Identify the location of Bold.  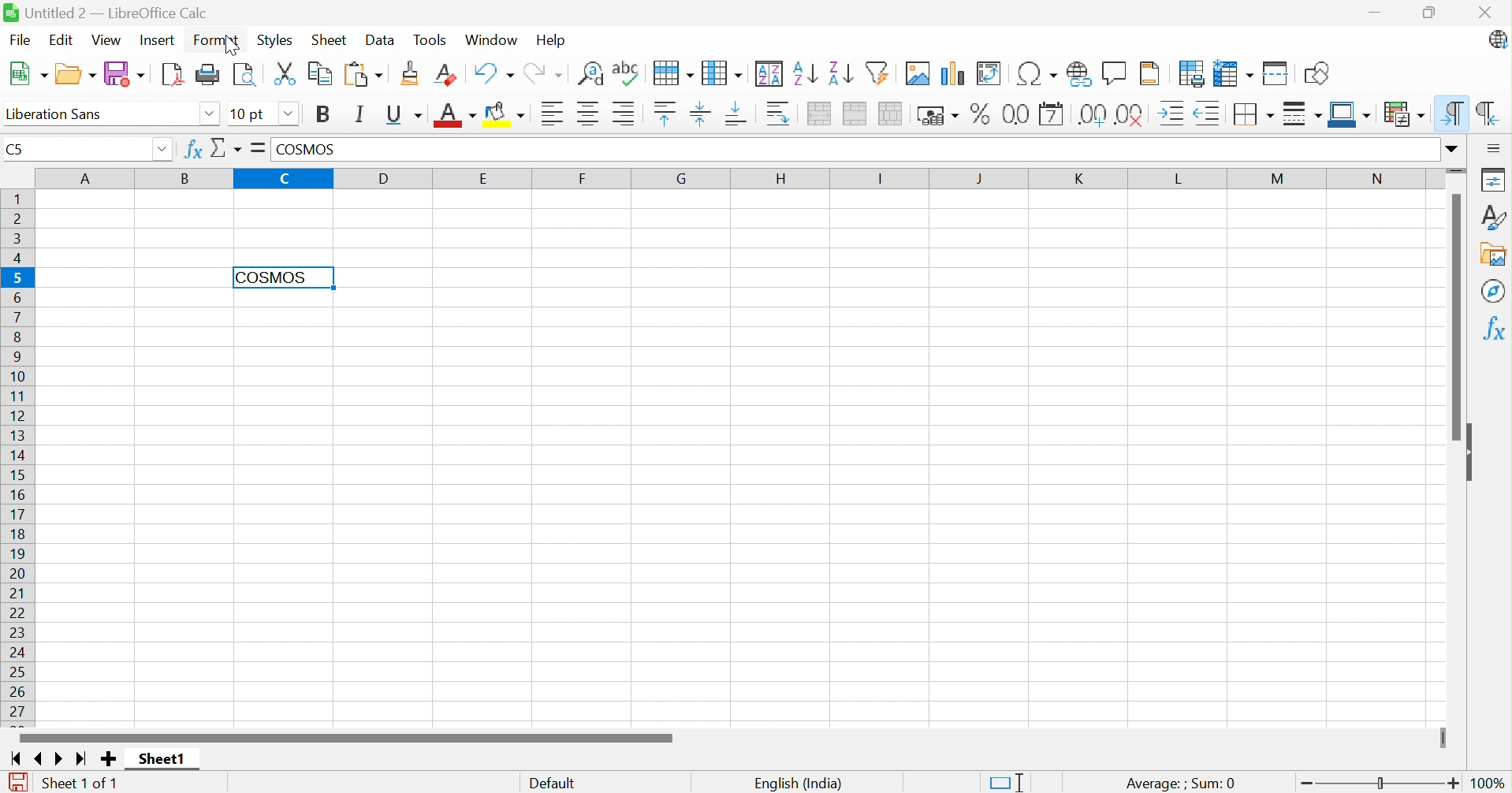
(326, 114).